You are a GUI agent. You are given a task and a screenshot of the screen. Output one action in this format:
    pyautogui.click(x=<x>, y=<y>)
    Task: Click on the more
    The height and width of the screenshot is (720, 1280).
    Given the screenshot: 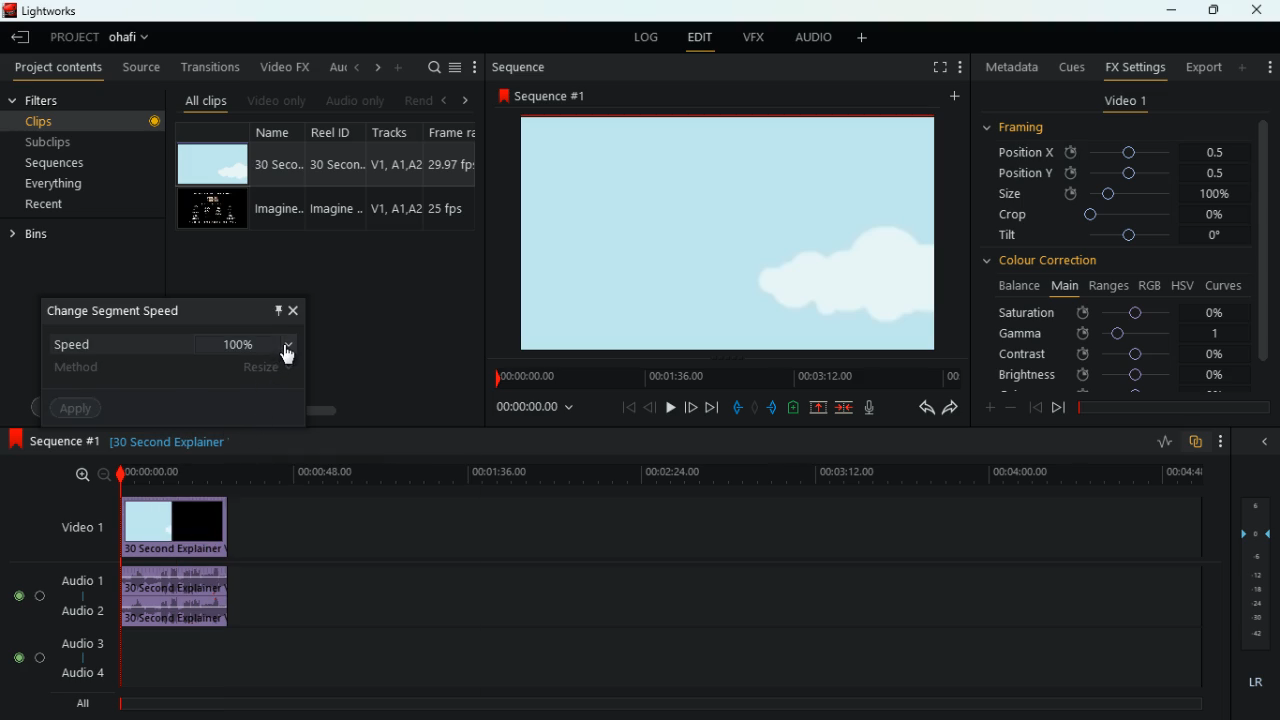 What is the action you would take?
    pyautogui.click(x=1222, y=442)
    